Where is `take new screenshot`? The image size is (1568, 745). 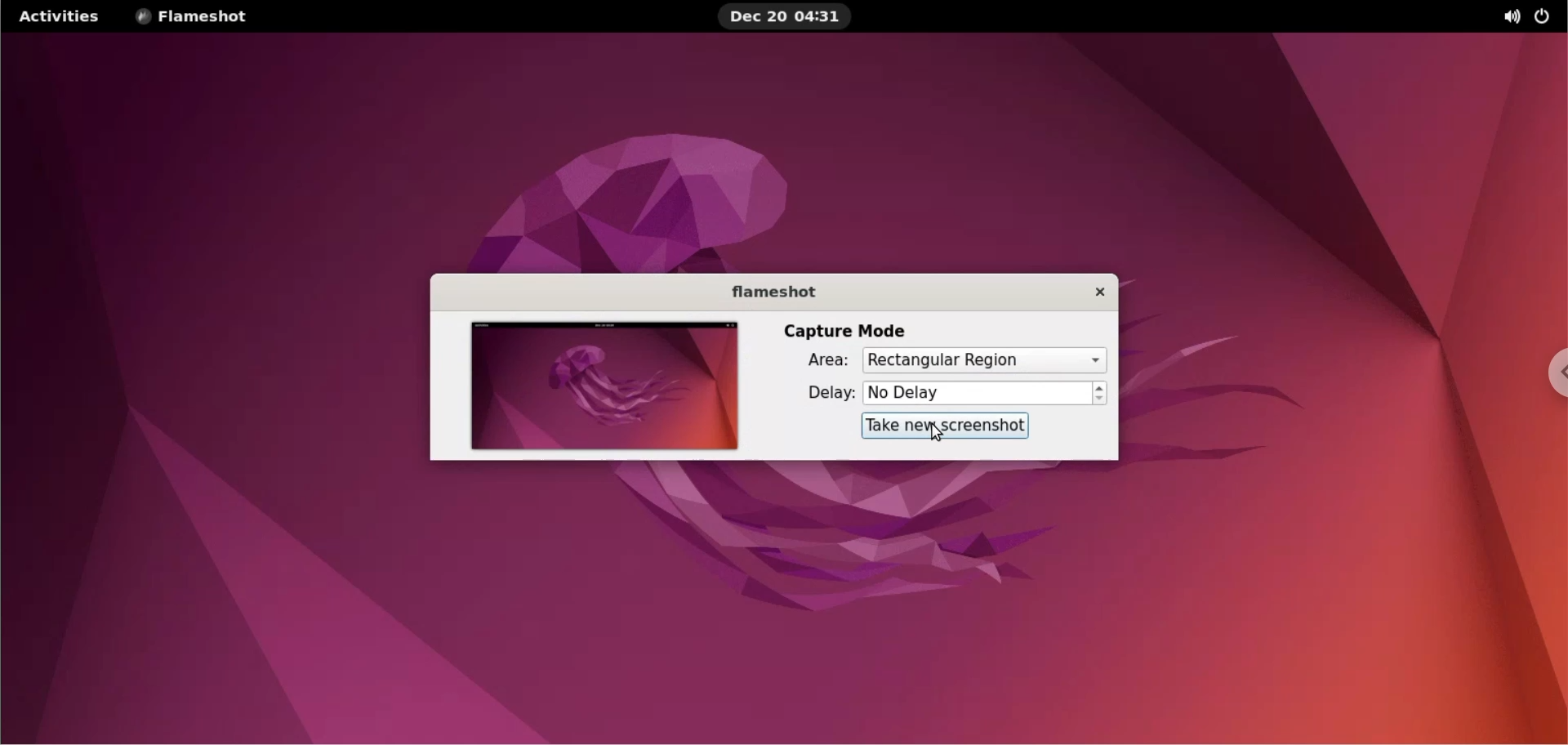 take new screenshot is located at coordinates (947, 426).